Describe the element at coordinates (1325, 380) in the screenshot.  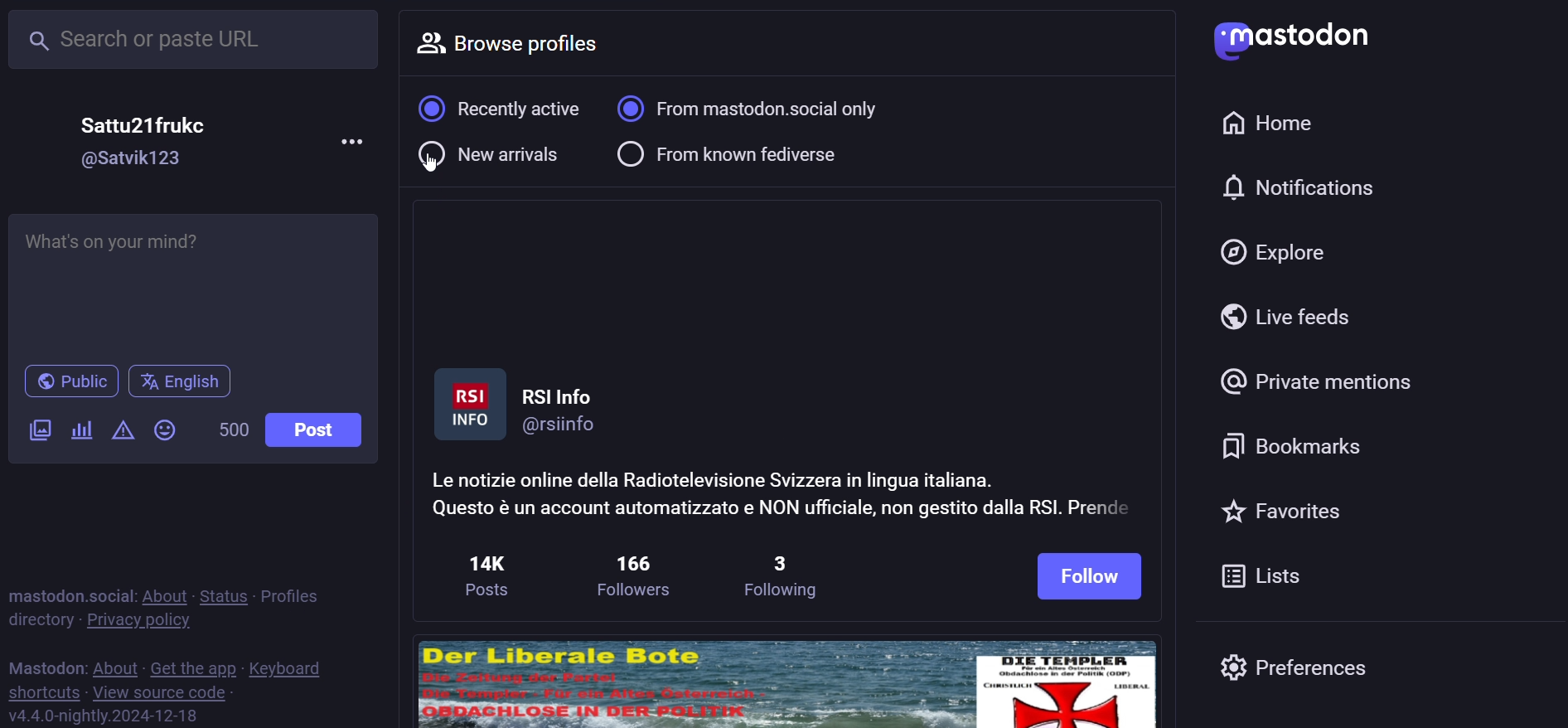
I see `private mention` at that location.